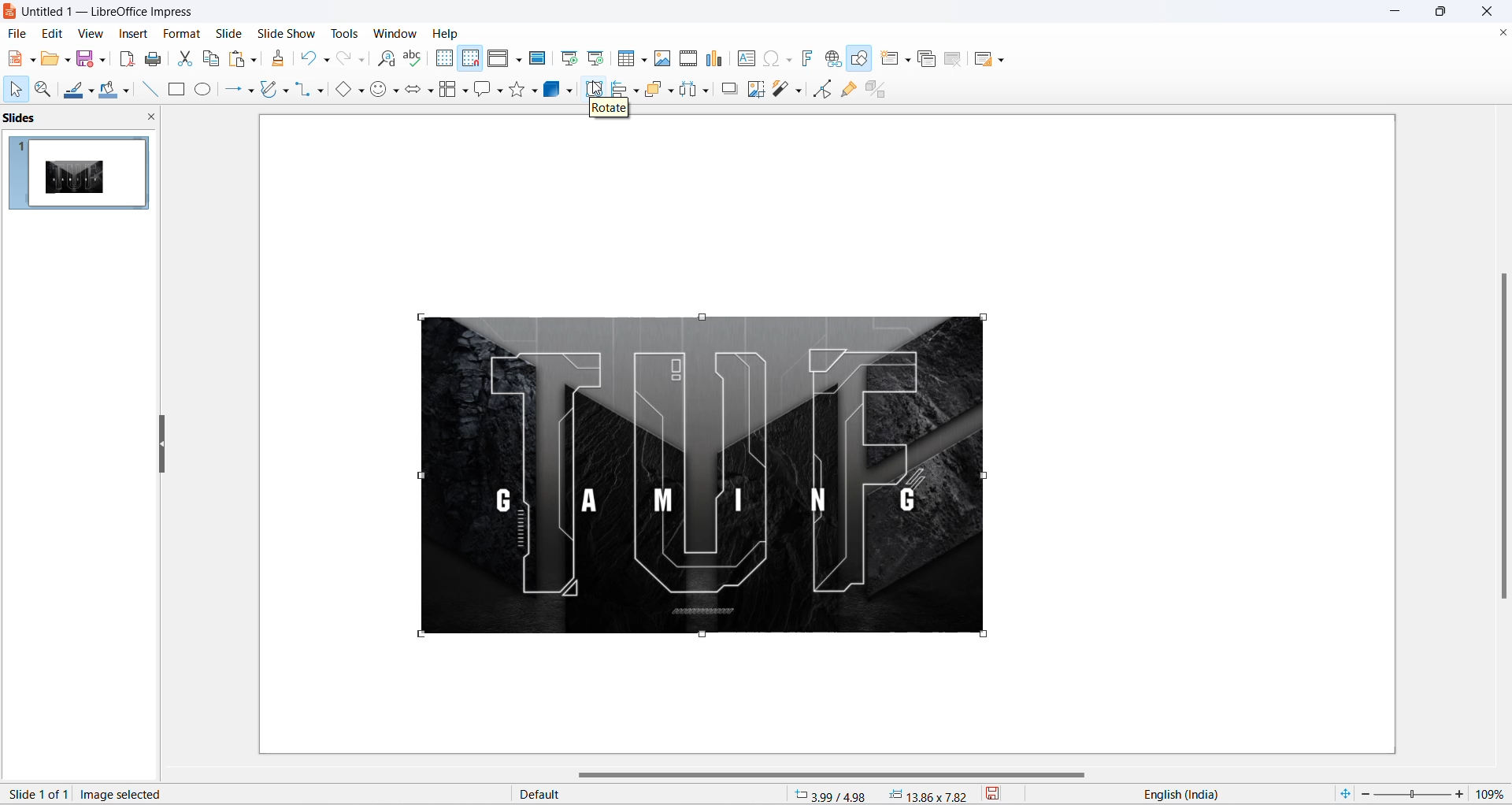  What do you see at coordinates (250, 91) in the screenshot?
I see `line and arrows options` at bounding box center [250, 91].